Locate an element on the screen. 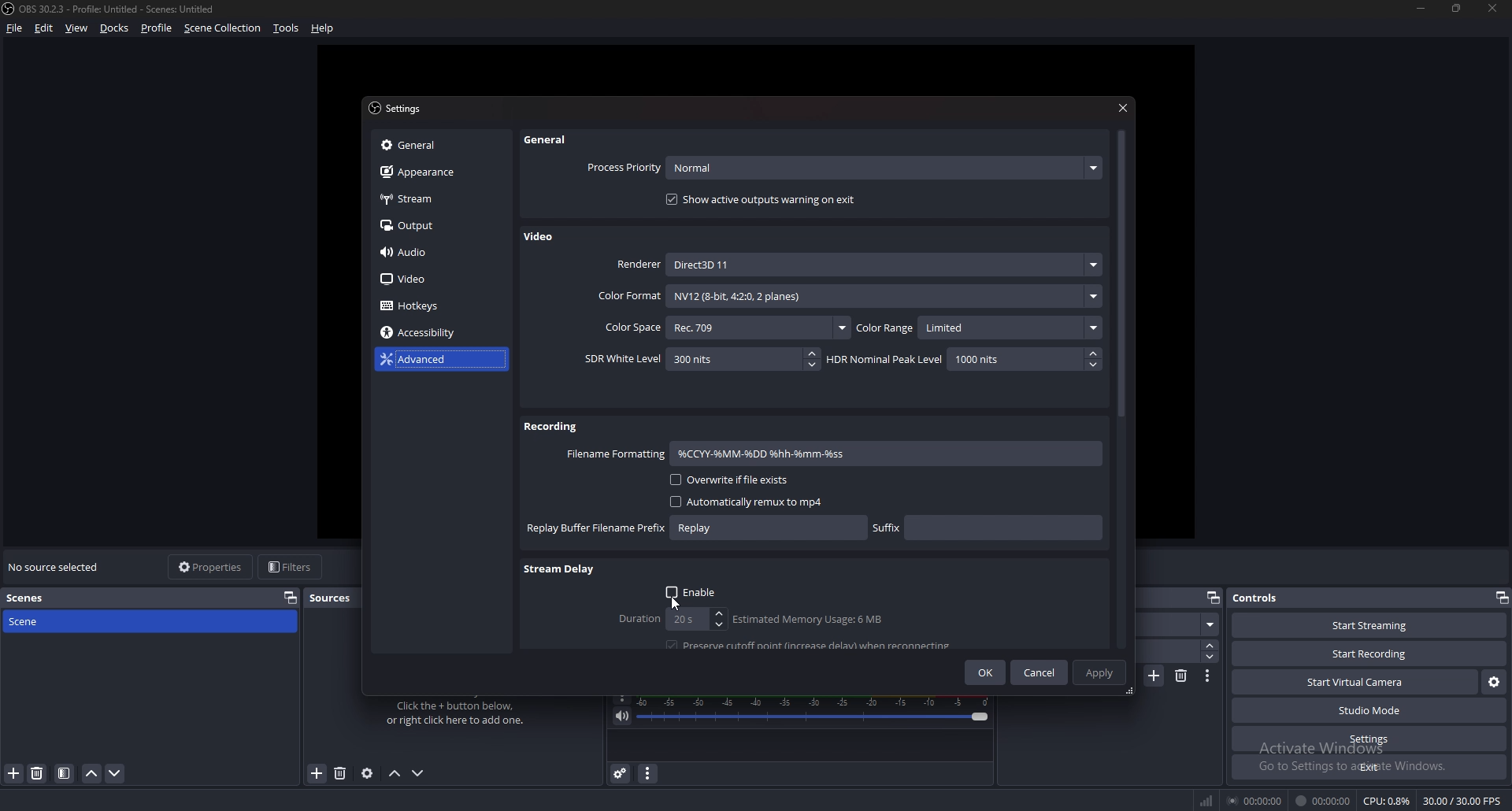 The image size is (1512, 811). 00:00:00 is located at coordinates (1325, 801).